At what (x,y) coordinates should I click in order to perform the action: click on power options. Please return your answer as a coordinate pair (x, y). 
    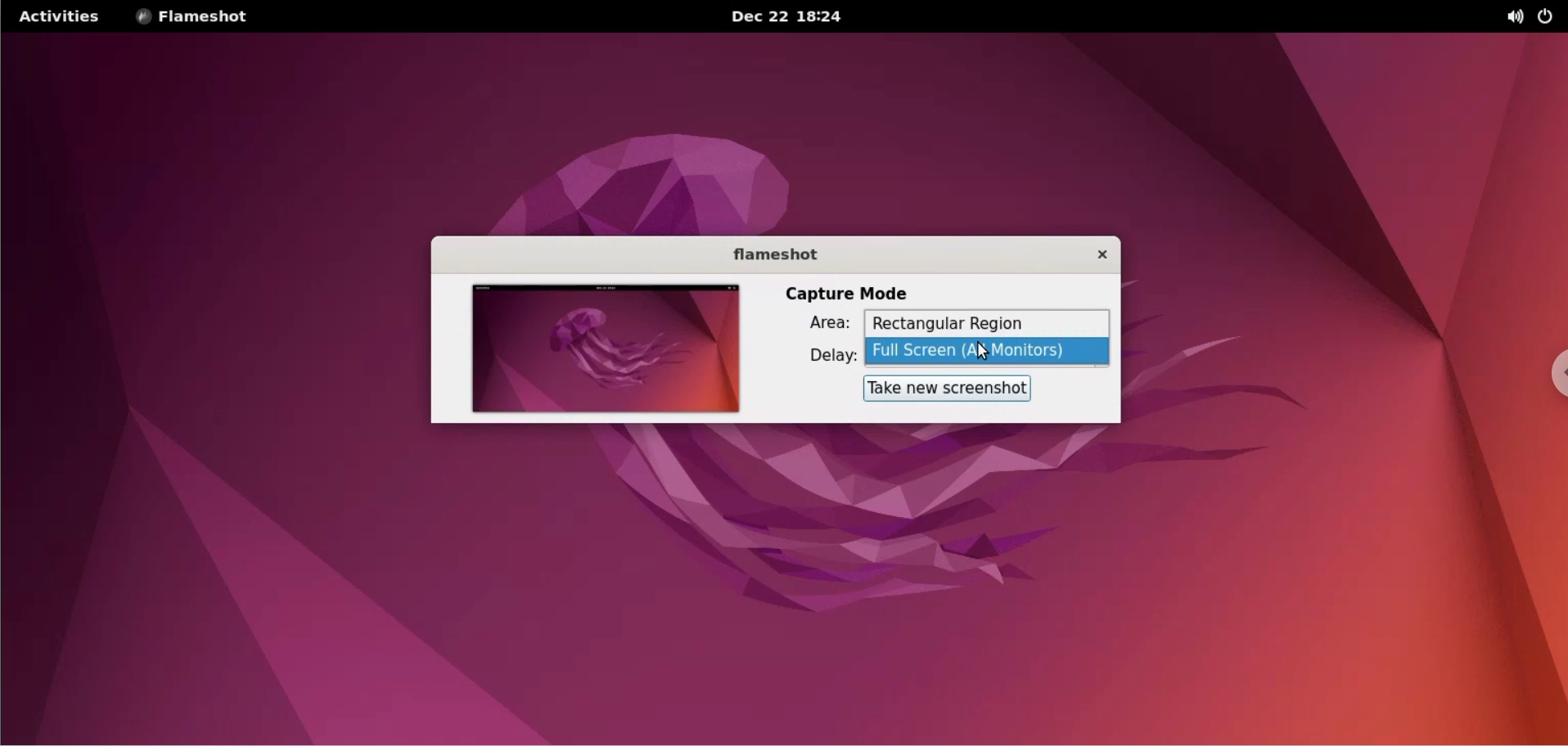
    Looking at the image, I should click on (1549, 17).